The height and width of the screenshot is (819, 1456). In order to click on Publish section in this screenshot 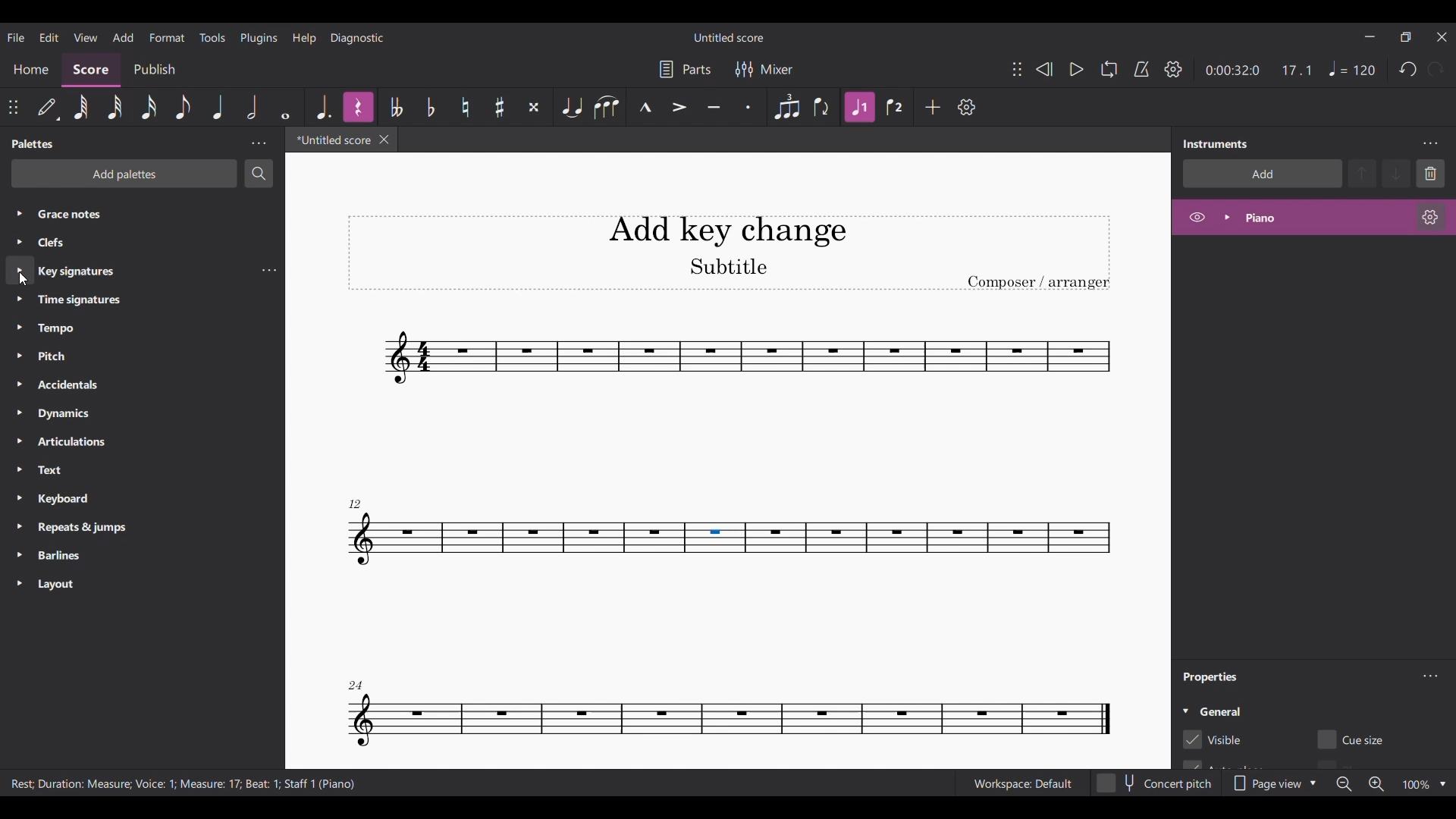, I will do `click(155, 70)`.